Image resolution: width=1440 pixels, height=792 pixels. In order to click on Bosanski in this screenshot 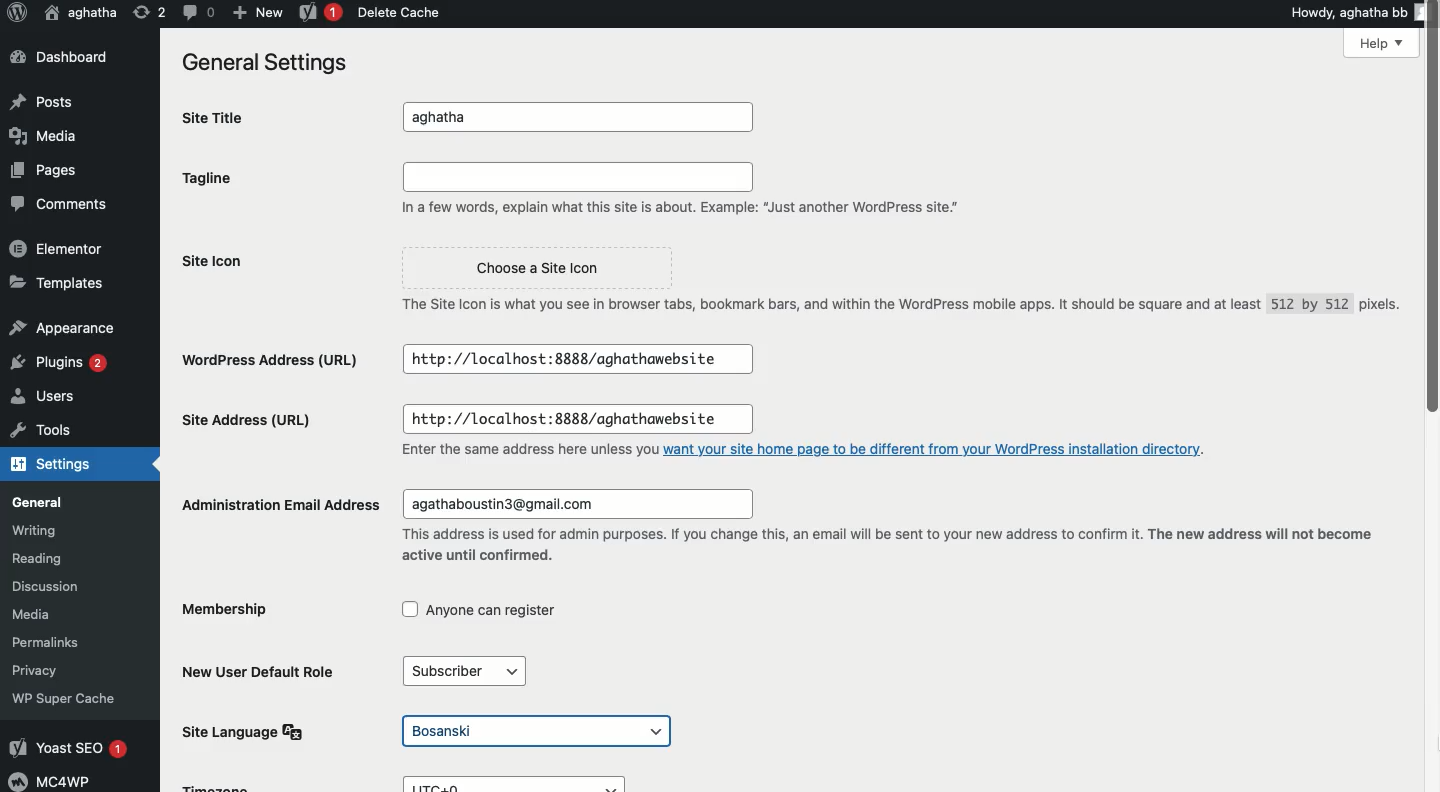, I will do `click(538, 732)`.